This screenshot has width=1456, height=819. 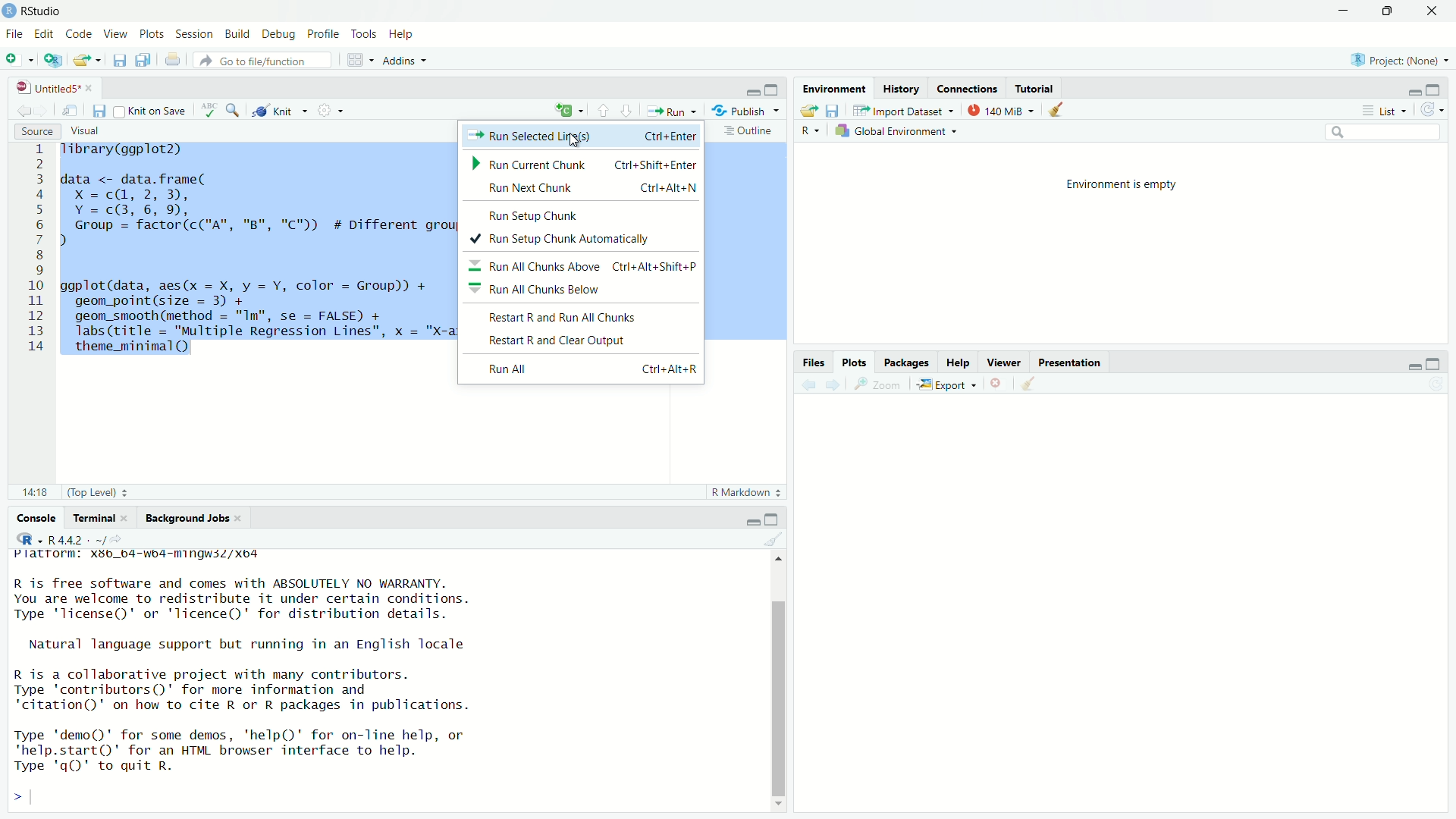 I want to click on Environment is empty, so click(x=1131, y=185).